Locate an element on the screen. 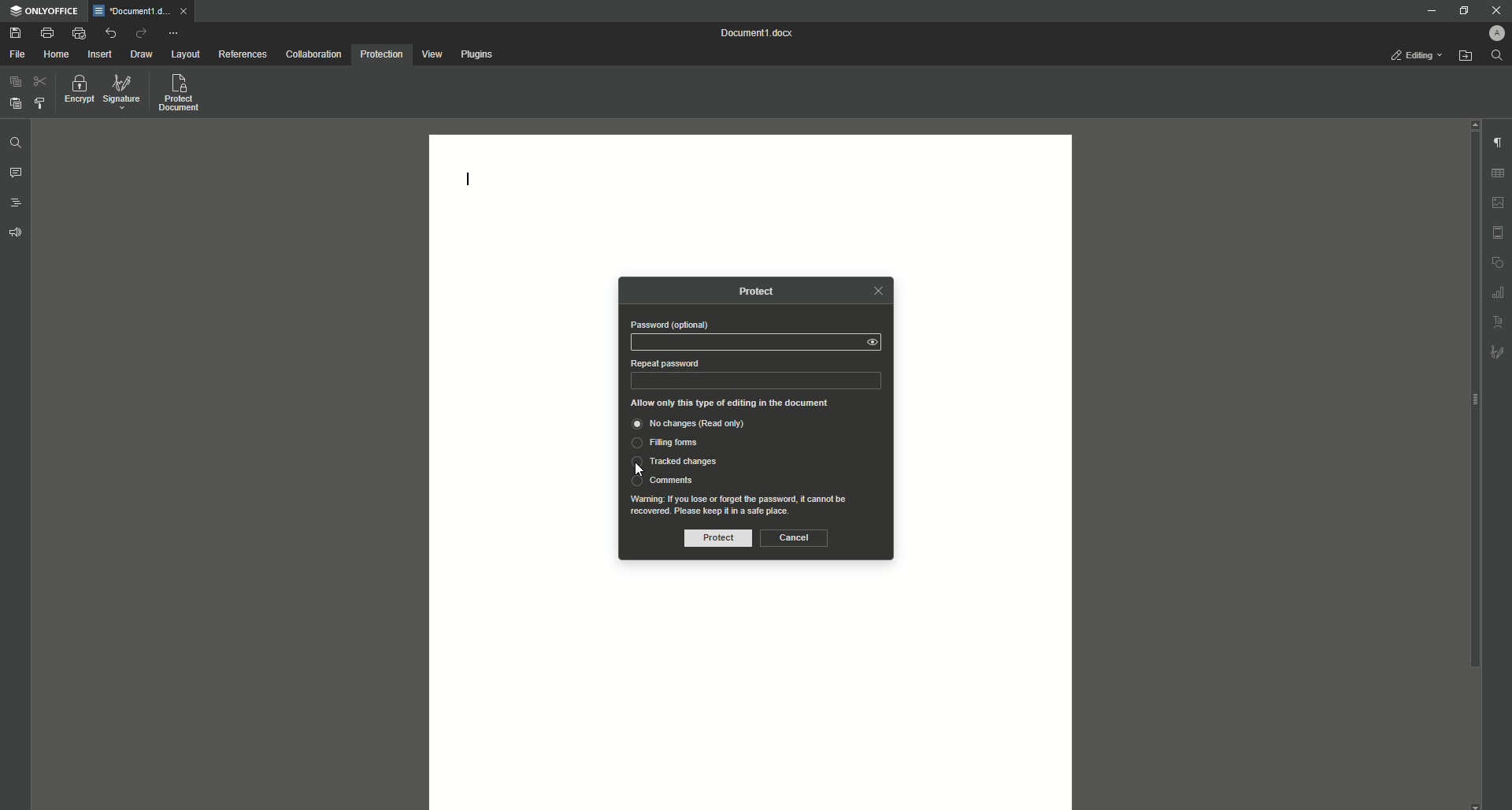  Open From File is located at coordinates (1464, 56).